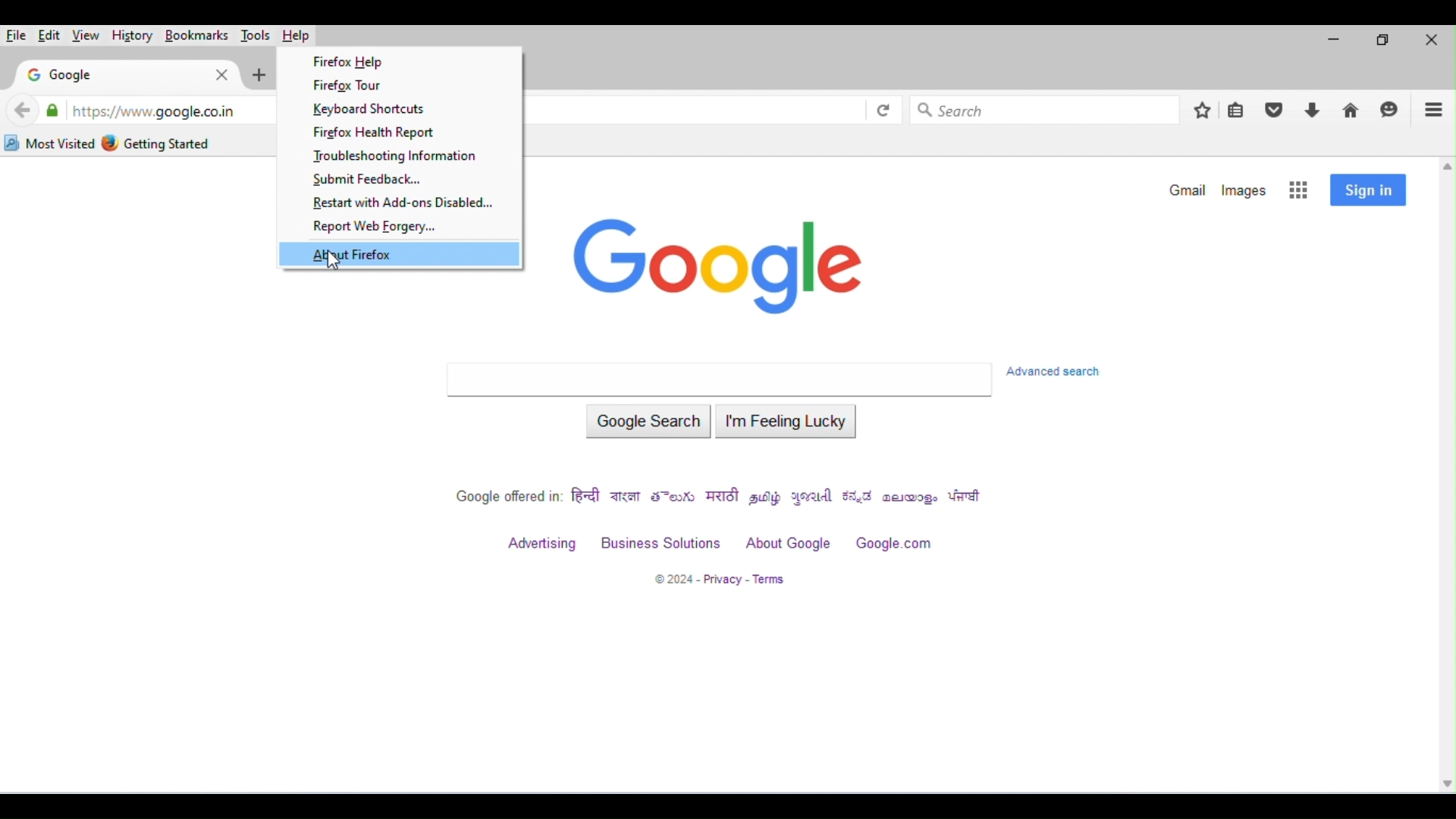 The width and height of the screenshot is (1456, 819). Describe the element at coordinates (814, 497) in the screenshot. I see `gujrati` at that location.